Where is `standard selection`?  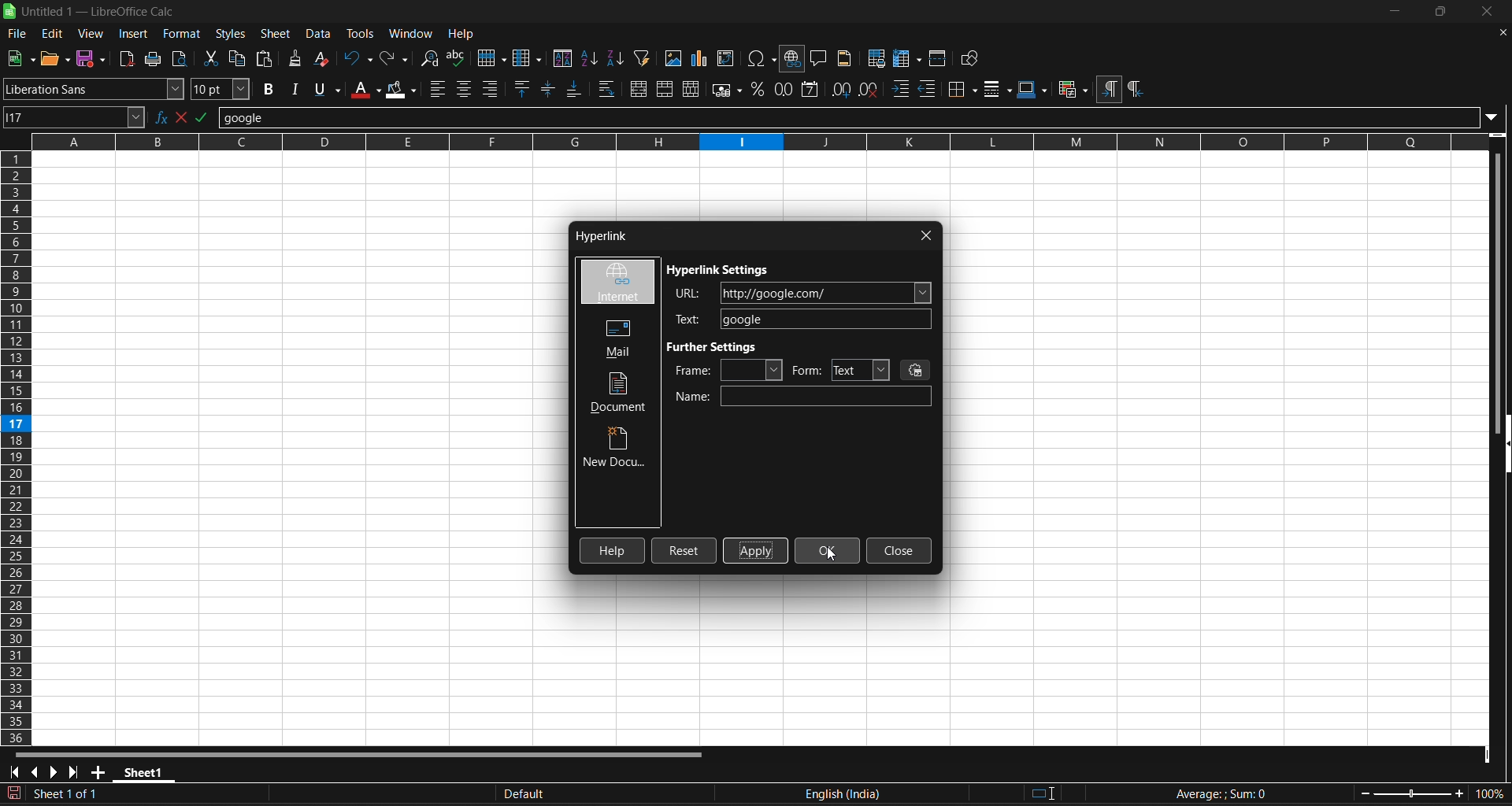 standard selection is located at coordinates (1045, 794).